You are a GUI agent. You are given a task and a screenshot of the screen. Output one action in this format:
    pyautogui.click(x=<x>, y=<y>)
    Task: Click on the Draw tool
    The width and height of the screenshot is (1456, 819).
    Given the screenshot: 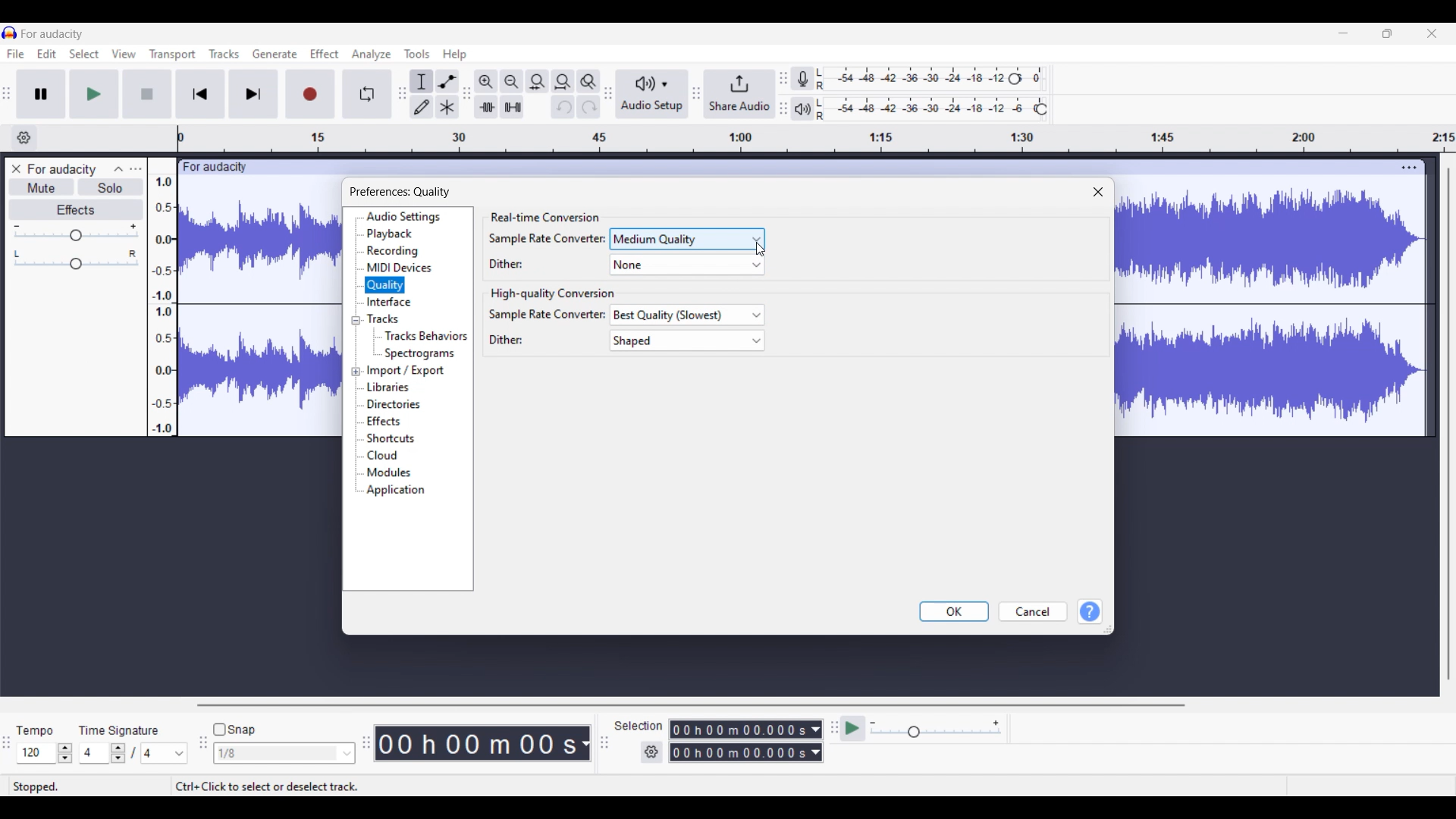 What is the action you would take?
    pyautogui.click(x=422, y=107)
    